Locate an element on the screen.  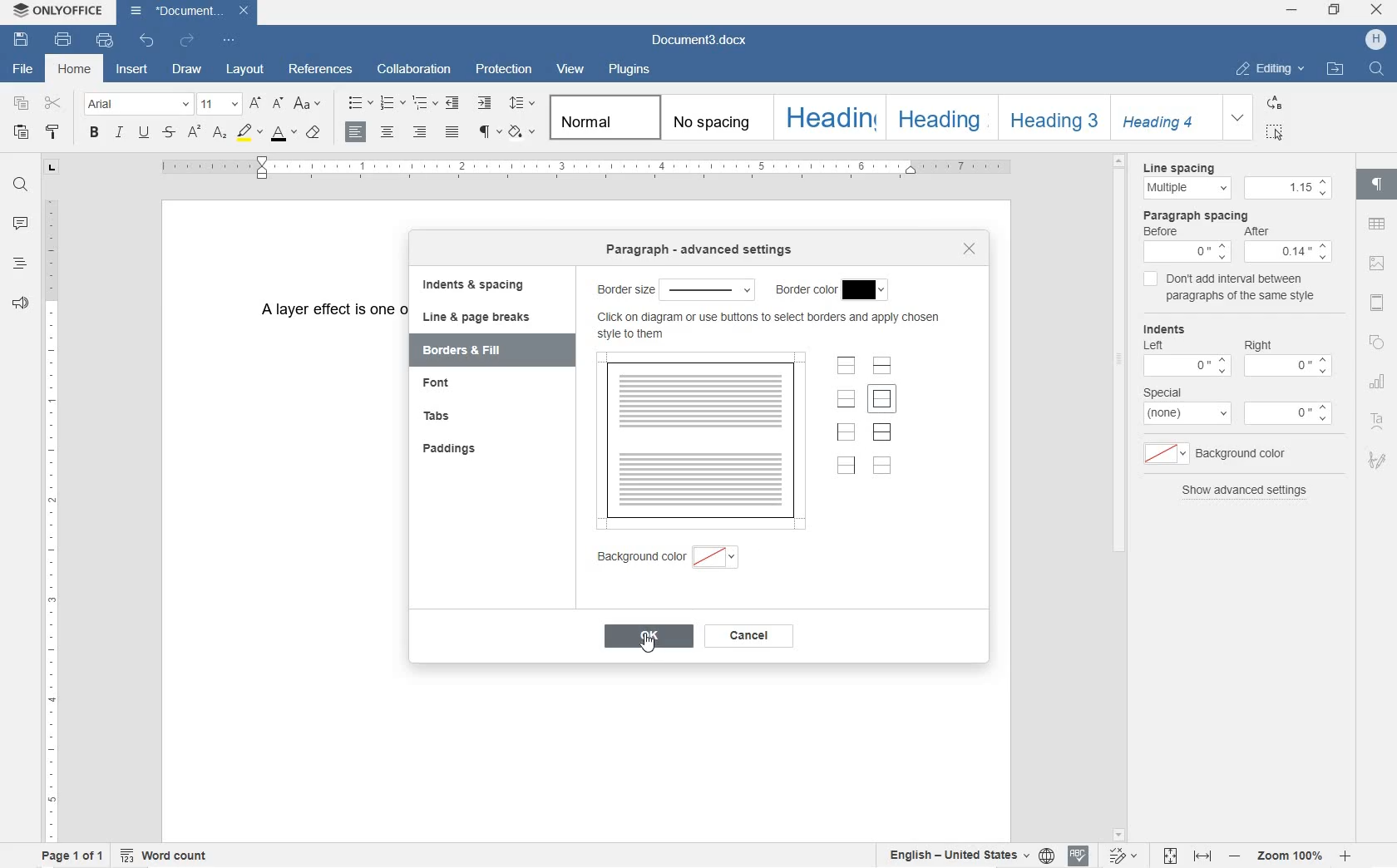
background color is located at coordinates (670, 556).